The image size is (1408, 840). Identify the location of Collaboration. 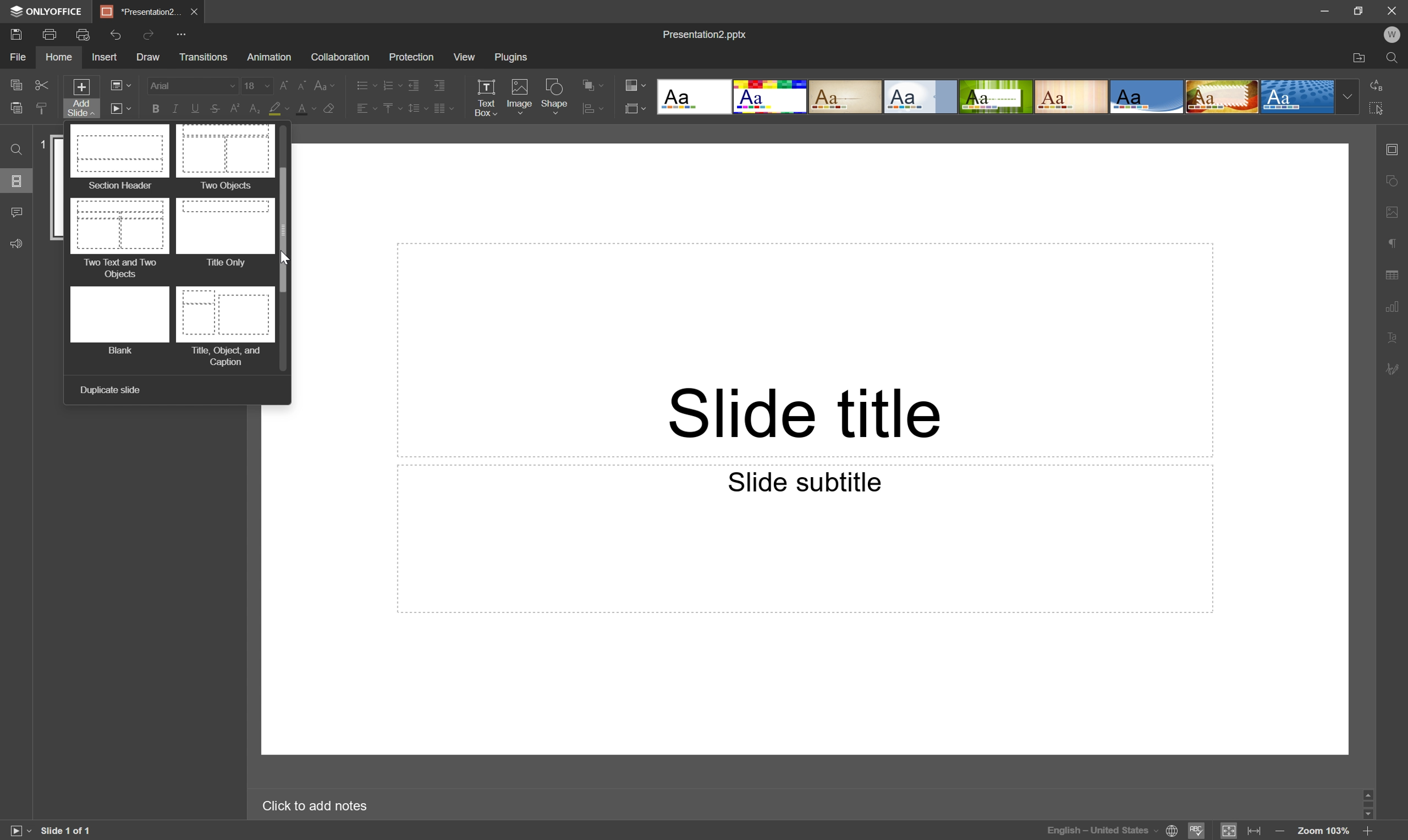
(341, 57).